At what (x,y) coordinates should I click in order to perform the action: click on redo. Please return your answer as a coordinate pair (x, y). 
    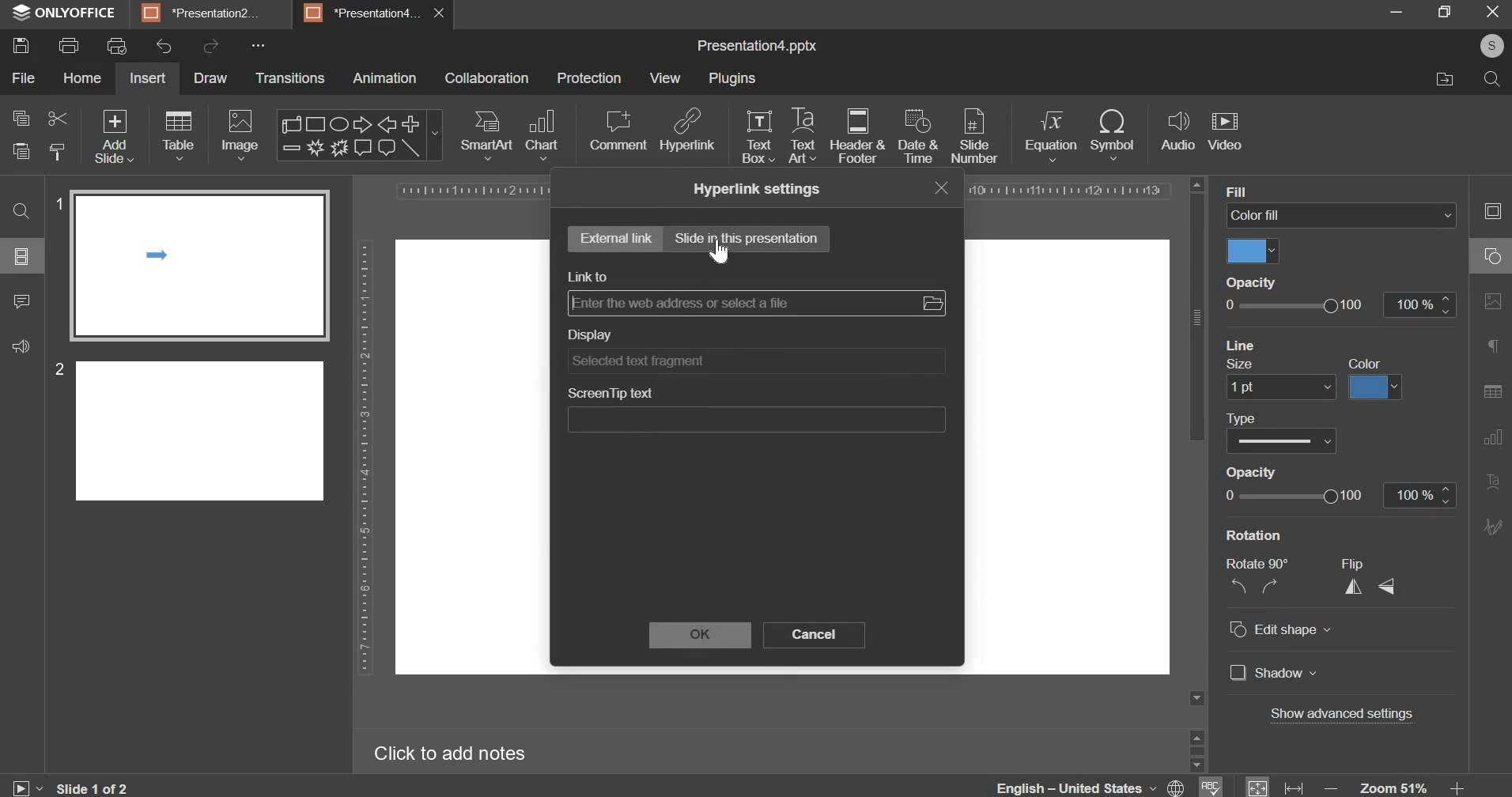
    Looking at the image, I should click on (211, 46).